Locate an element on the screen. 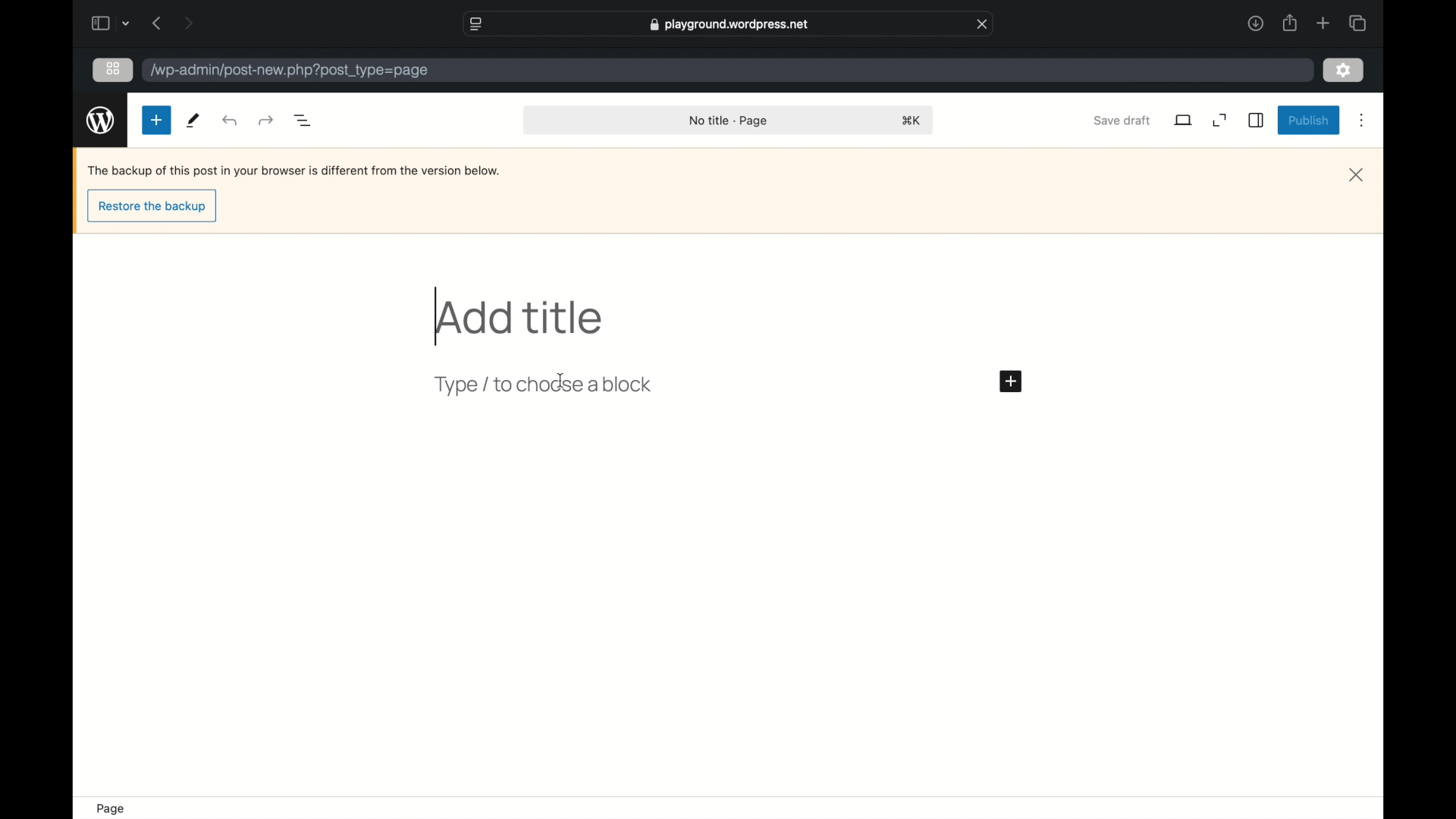  wordpress is located at coordinates (100, 120).